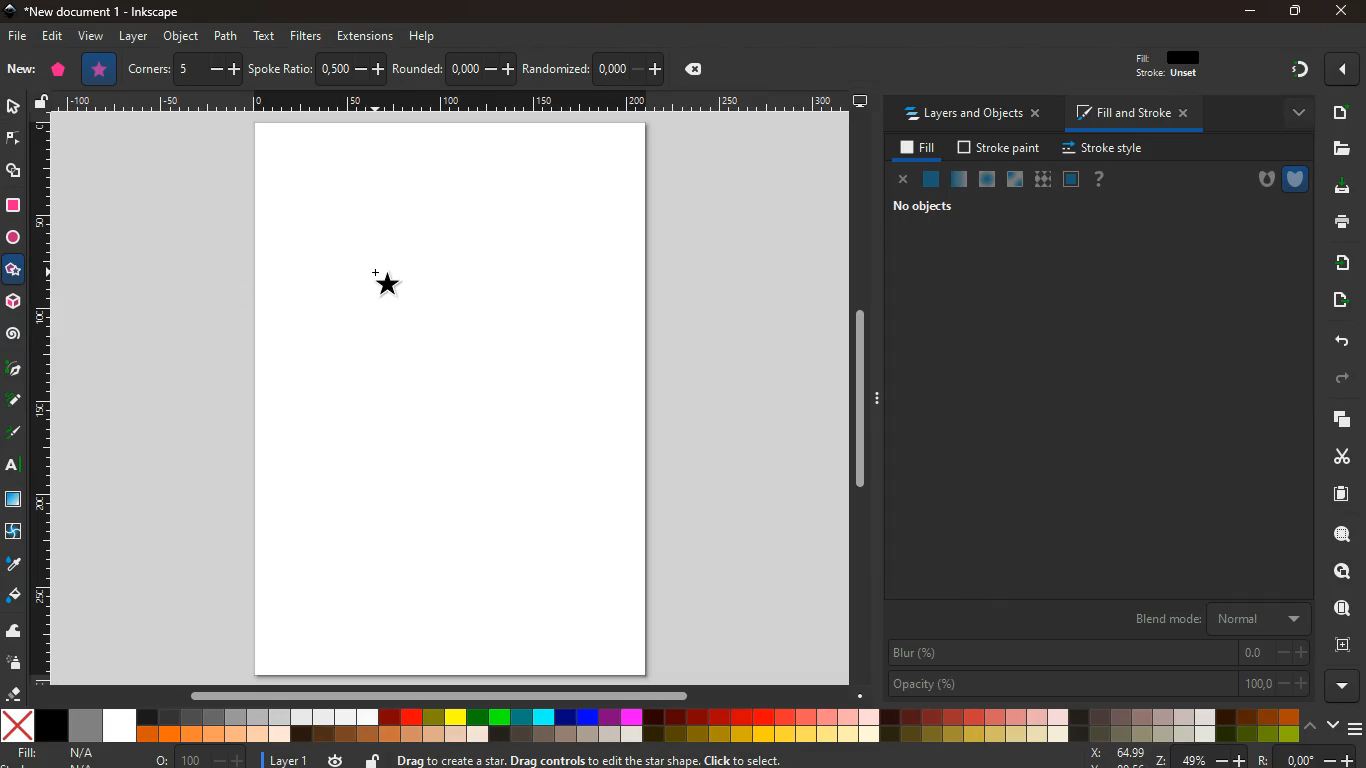  What do you see at coordinates (1209, 618) in the screenshot?
I see `blend mode` at bounding box center [1209, 618].